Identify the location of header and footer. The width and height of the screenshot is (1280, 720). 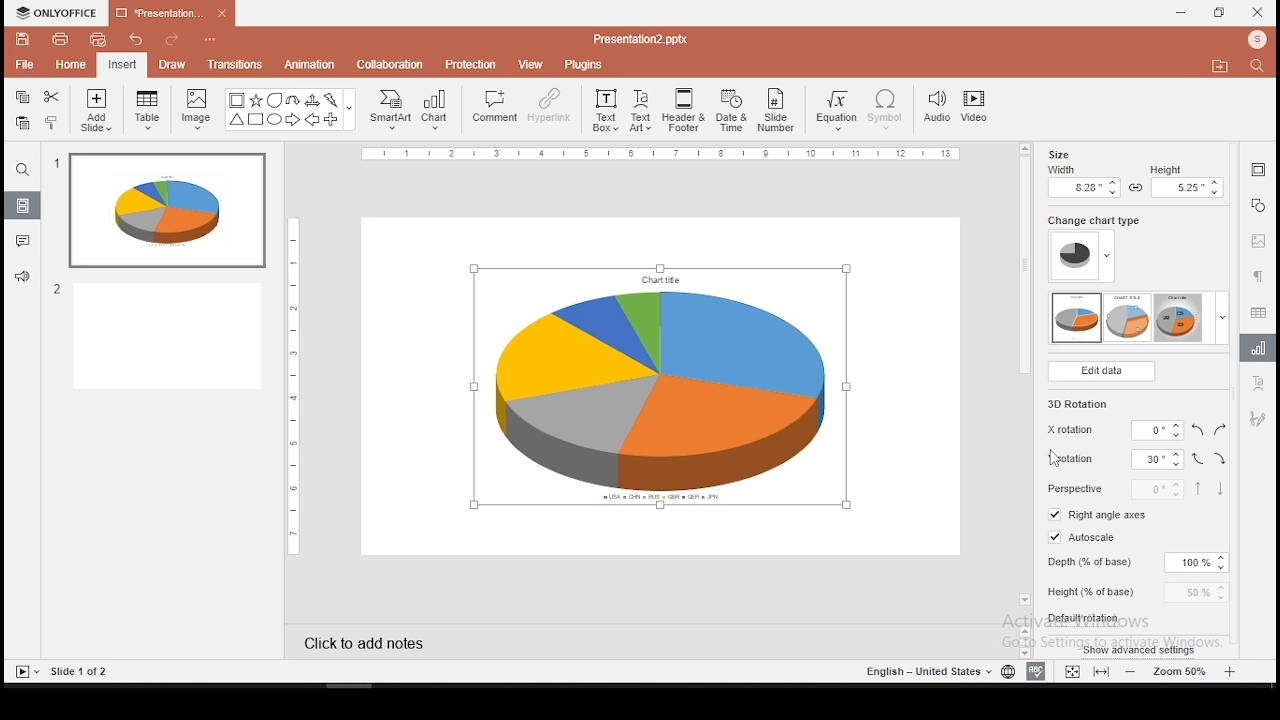
(684, 110).